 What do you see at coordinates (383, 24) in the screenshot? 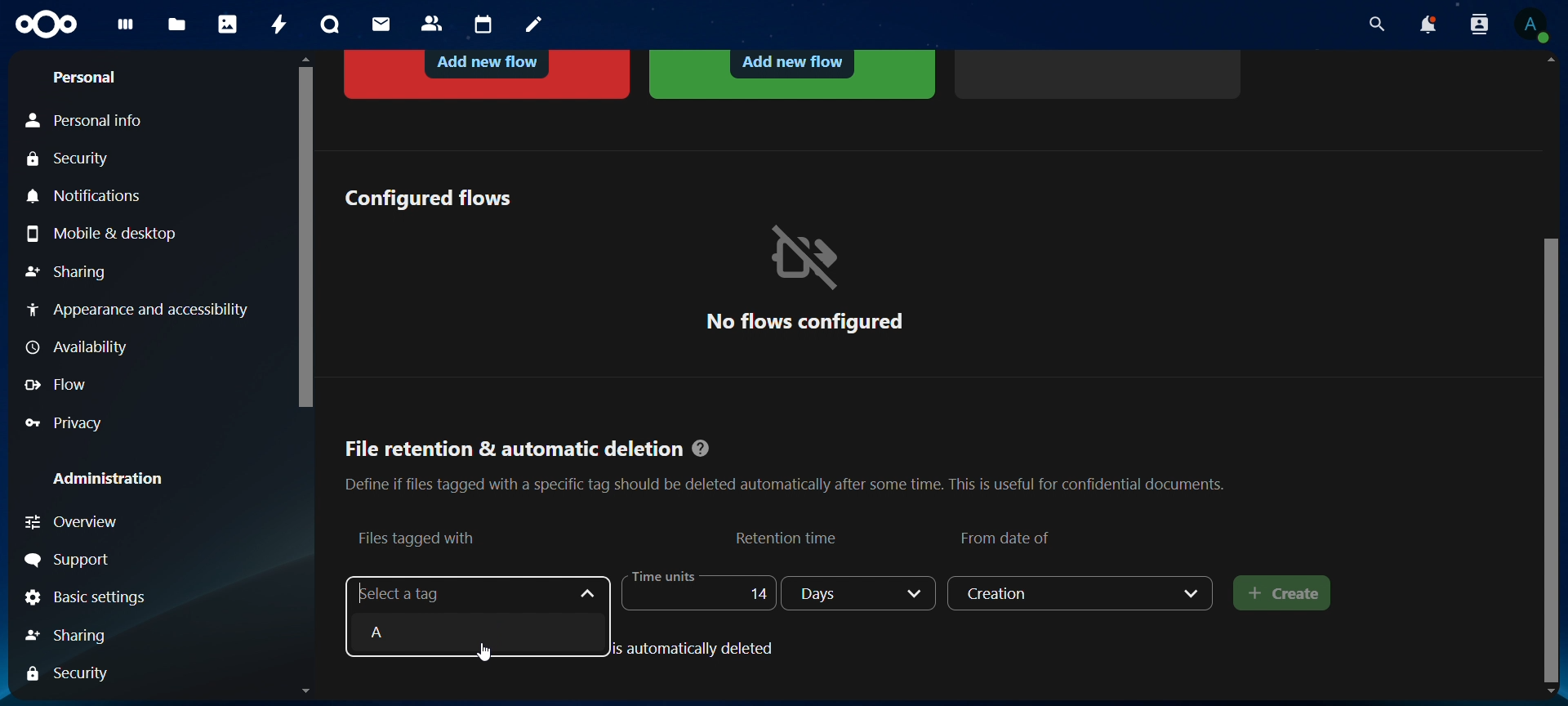
I see `mail` at bounding box center [383, 24].